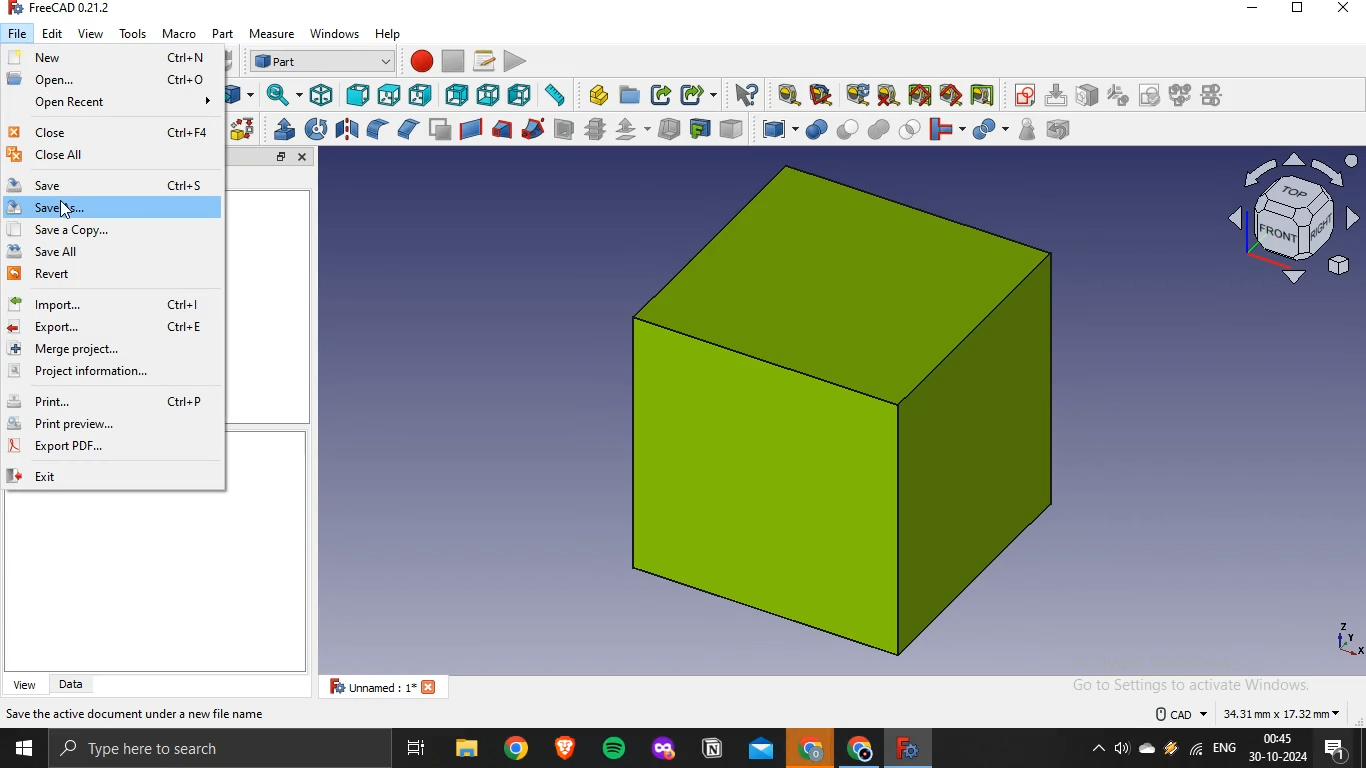  I want to click on axes icon, so click(1343, 641).